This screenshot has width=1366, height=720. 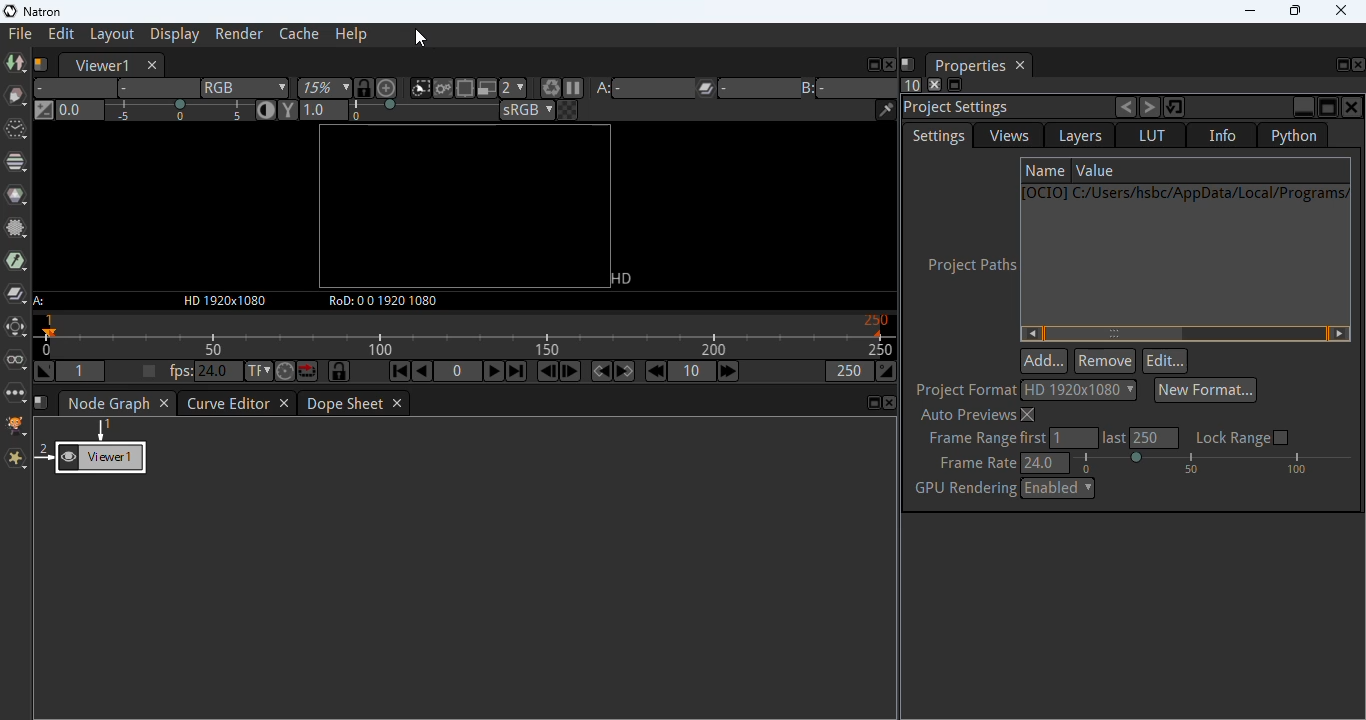 What do you see at coordinates (526, 110) in the screenshot?
I see `viewer color process` at bounding box center [526, 110].